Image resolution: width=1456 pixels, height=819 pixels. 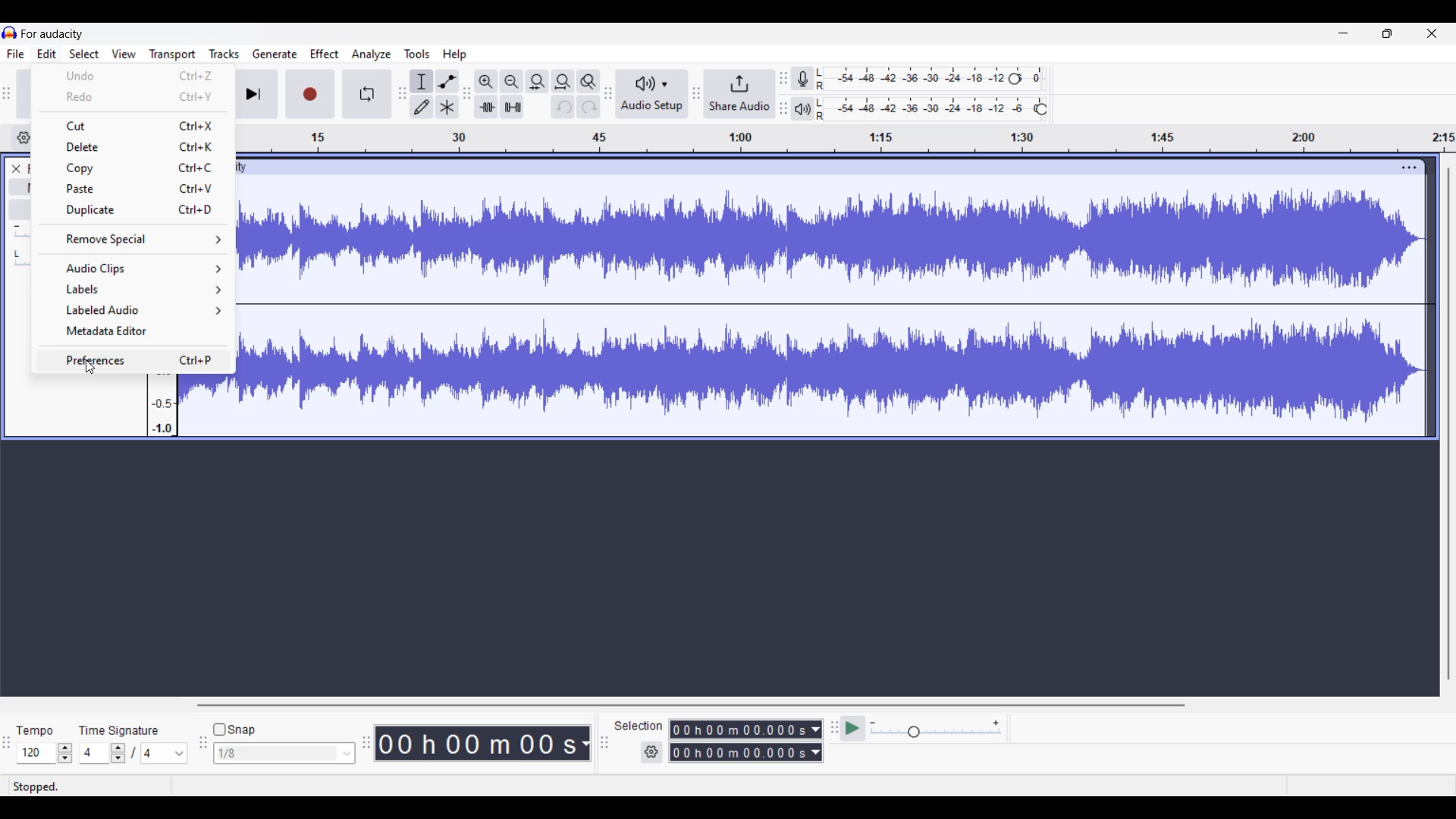 I want to click on Labeled audio options, so click(x=132, y=309).